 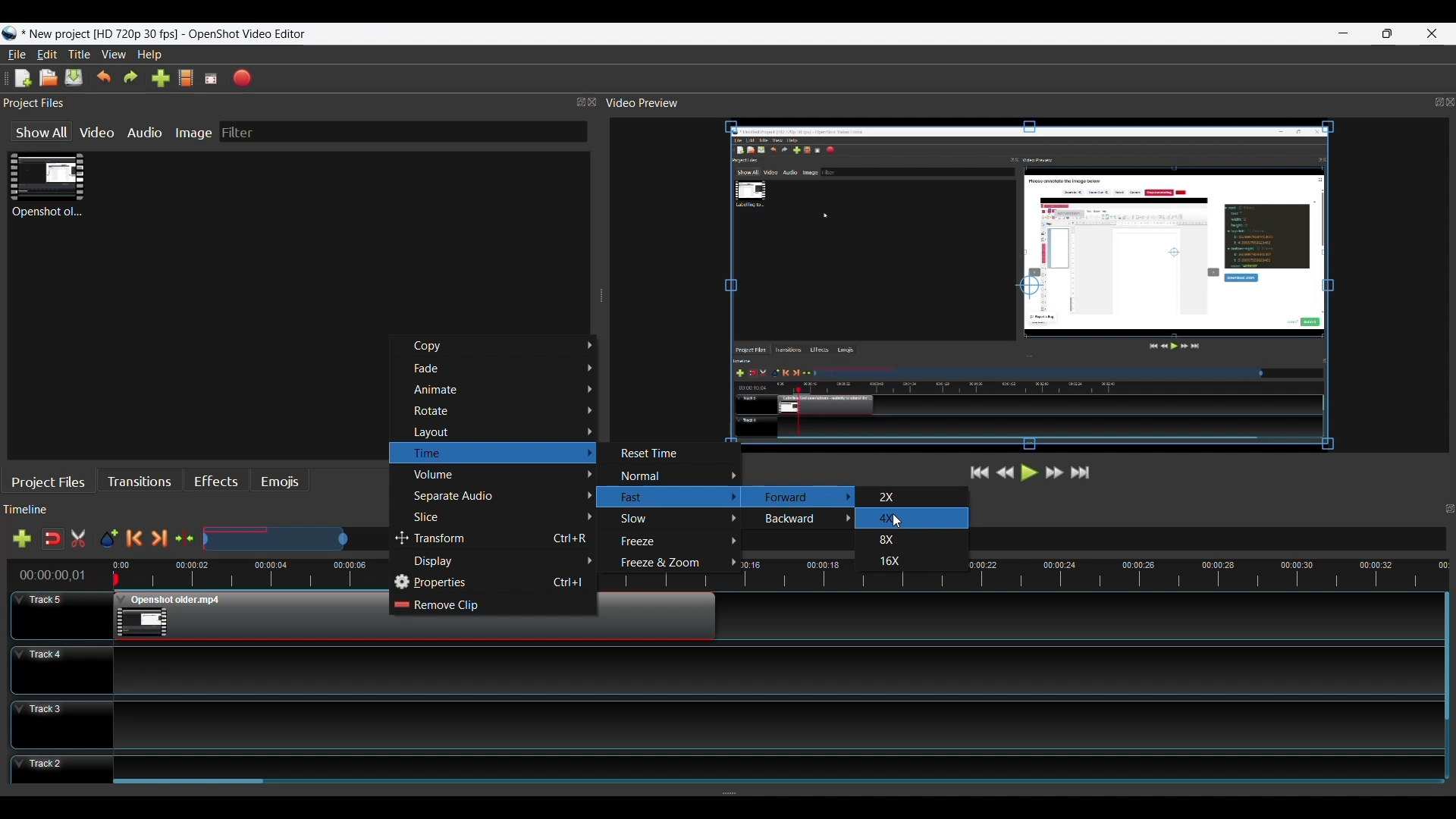 What do you see at coordinates (49, 78) in the screenshot?
I see `Open File` at bounding box center [49, 78].